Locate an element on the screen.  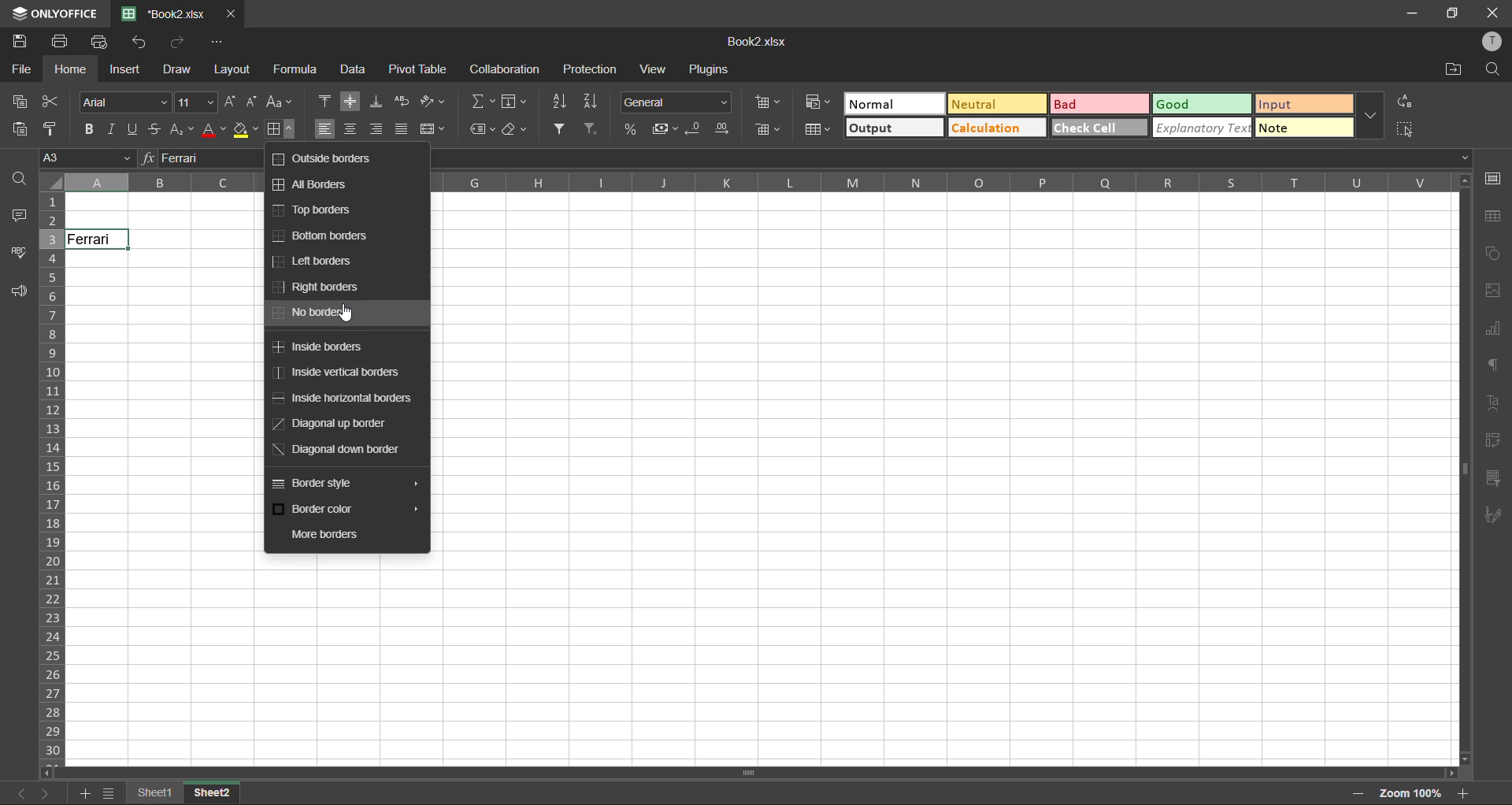
close is located at coordinates (232, 14).